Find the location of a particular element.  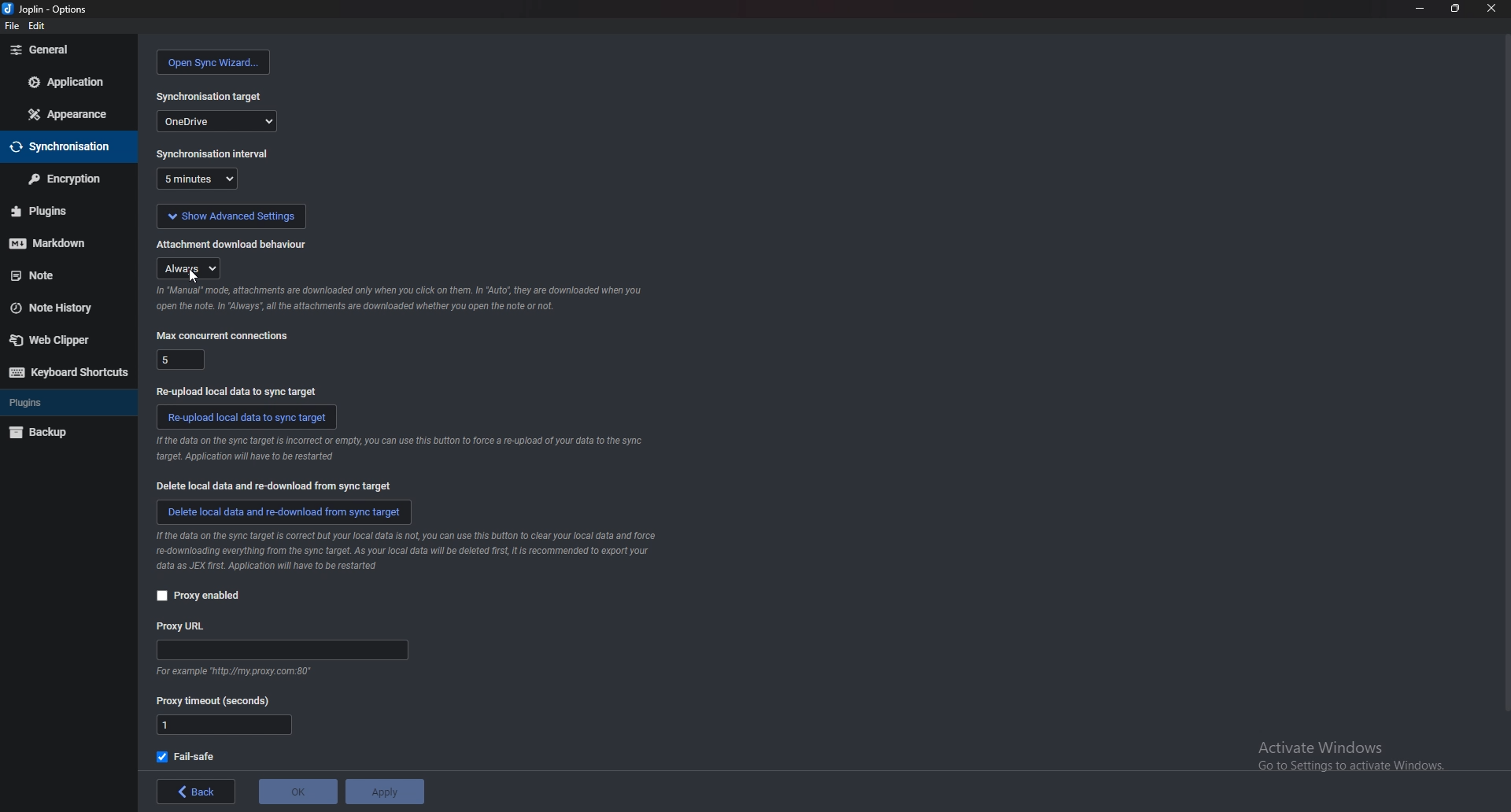

minimize is located at coordinates (1420, 7).